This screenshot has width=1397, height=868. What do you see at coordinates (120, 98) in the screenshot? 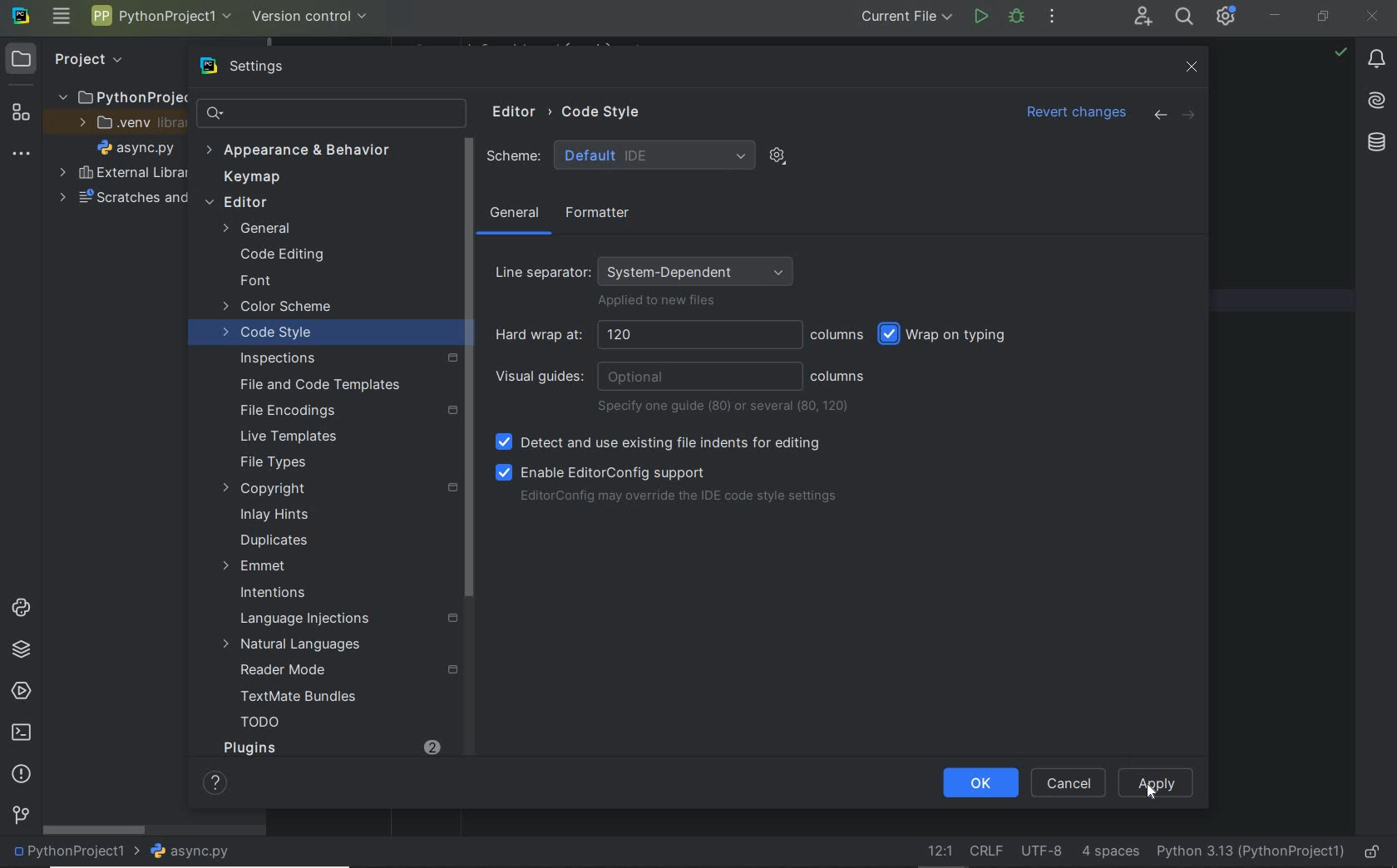
I see `project folder` at bounding box center [120, 98].